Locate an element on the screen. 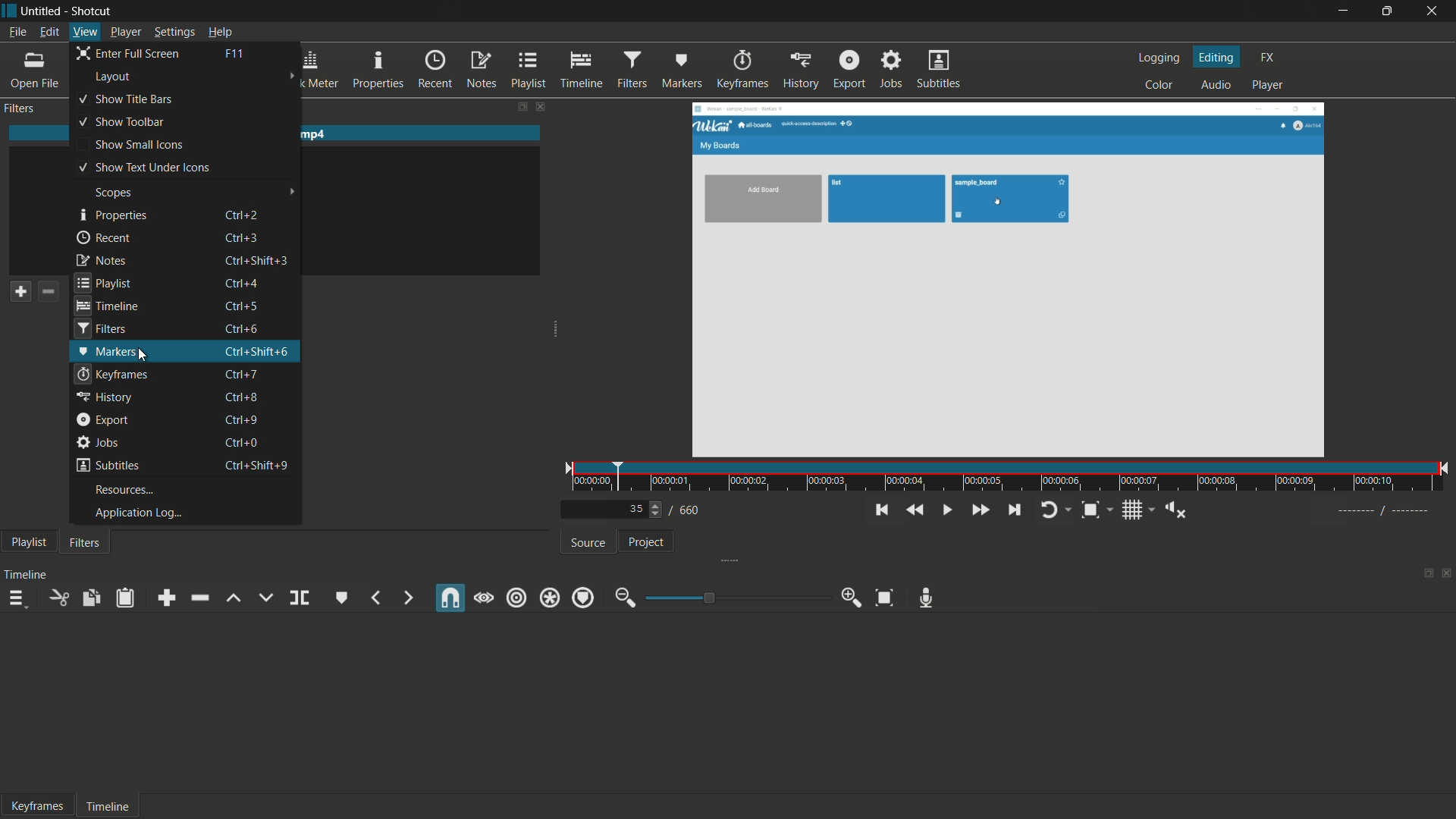 This screenshot has width=1456, height=819. skip to the next point is located at coordinates (1012, 510).